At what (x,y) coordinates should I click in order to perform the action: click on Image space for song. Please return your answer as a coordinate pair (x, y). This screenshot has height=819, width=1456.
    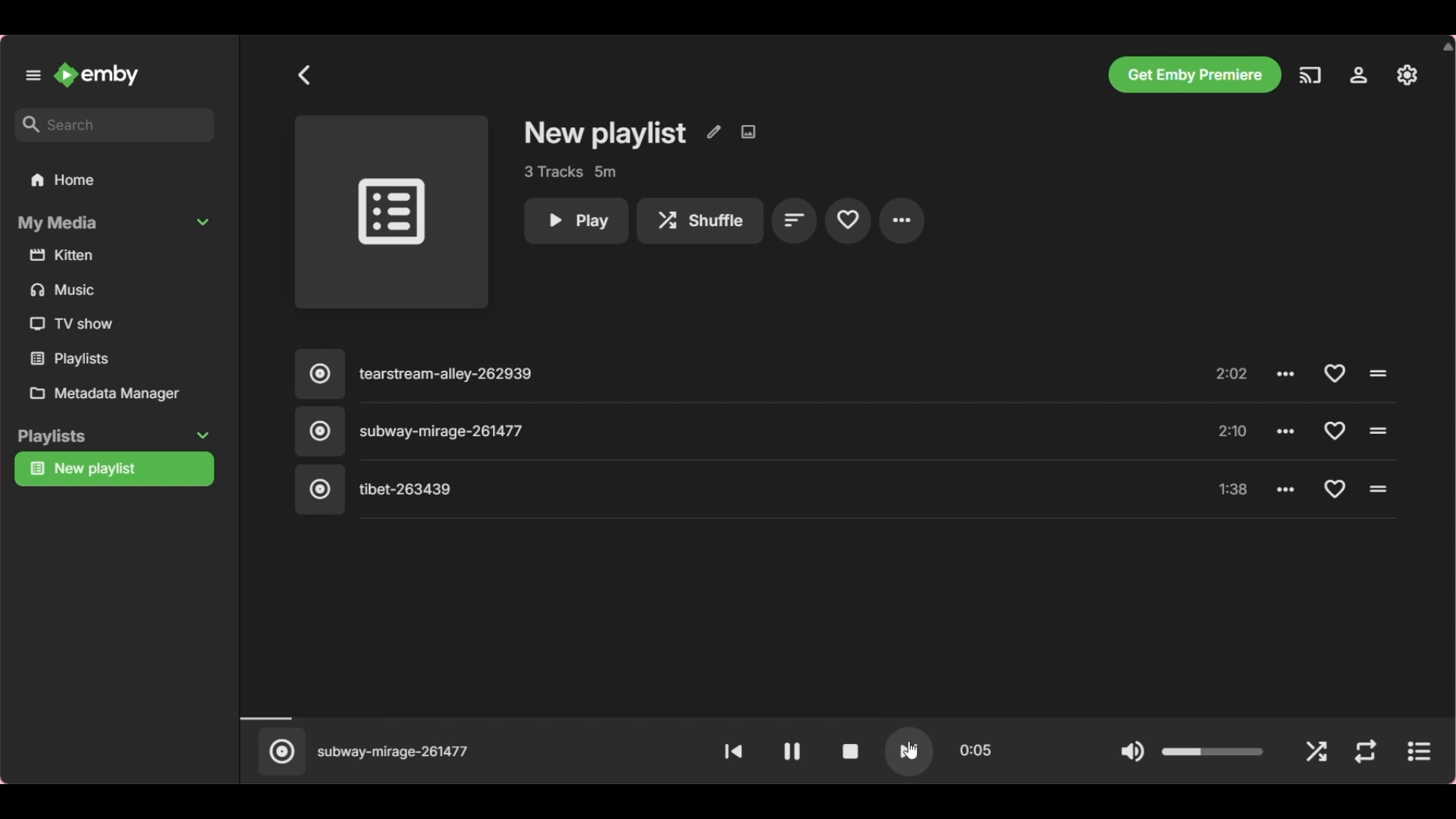
    Looking at the image, I should click on (392, 211).